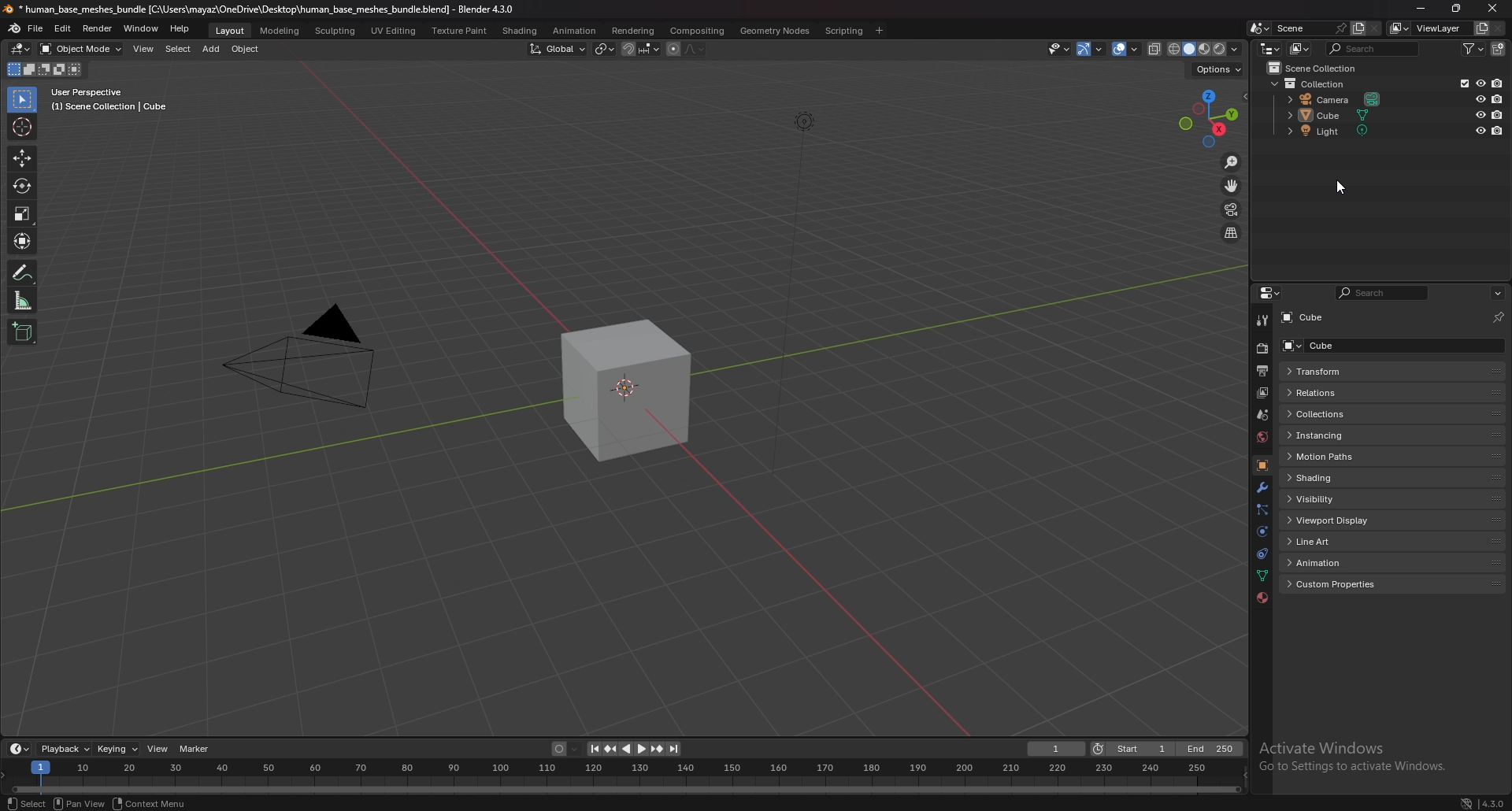 The image size is (1512, 811). What do you see at coordinates (1262, 510) in the screenshot?
I see `particles` at bounding box center [1262, 510].